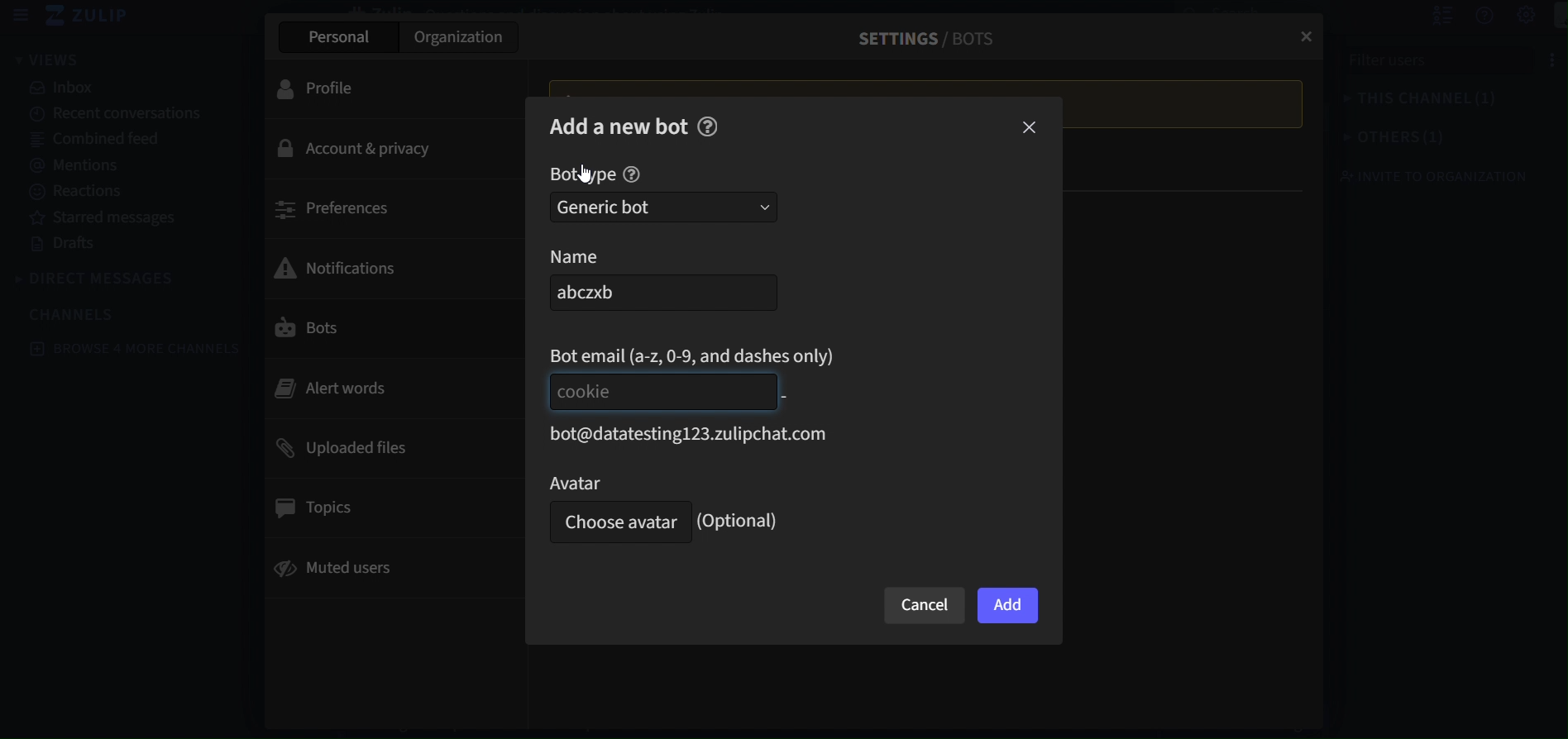 This screenshot has height=739, width=1568. I want to click on browse 4 more channels, so click(138, 348).